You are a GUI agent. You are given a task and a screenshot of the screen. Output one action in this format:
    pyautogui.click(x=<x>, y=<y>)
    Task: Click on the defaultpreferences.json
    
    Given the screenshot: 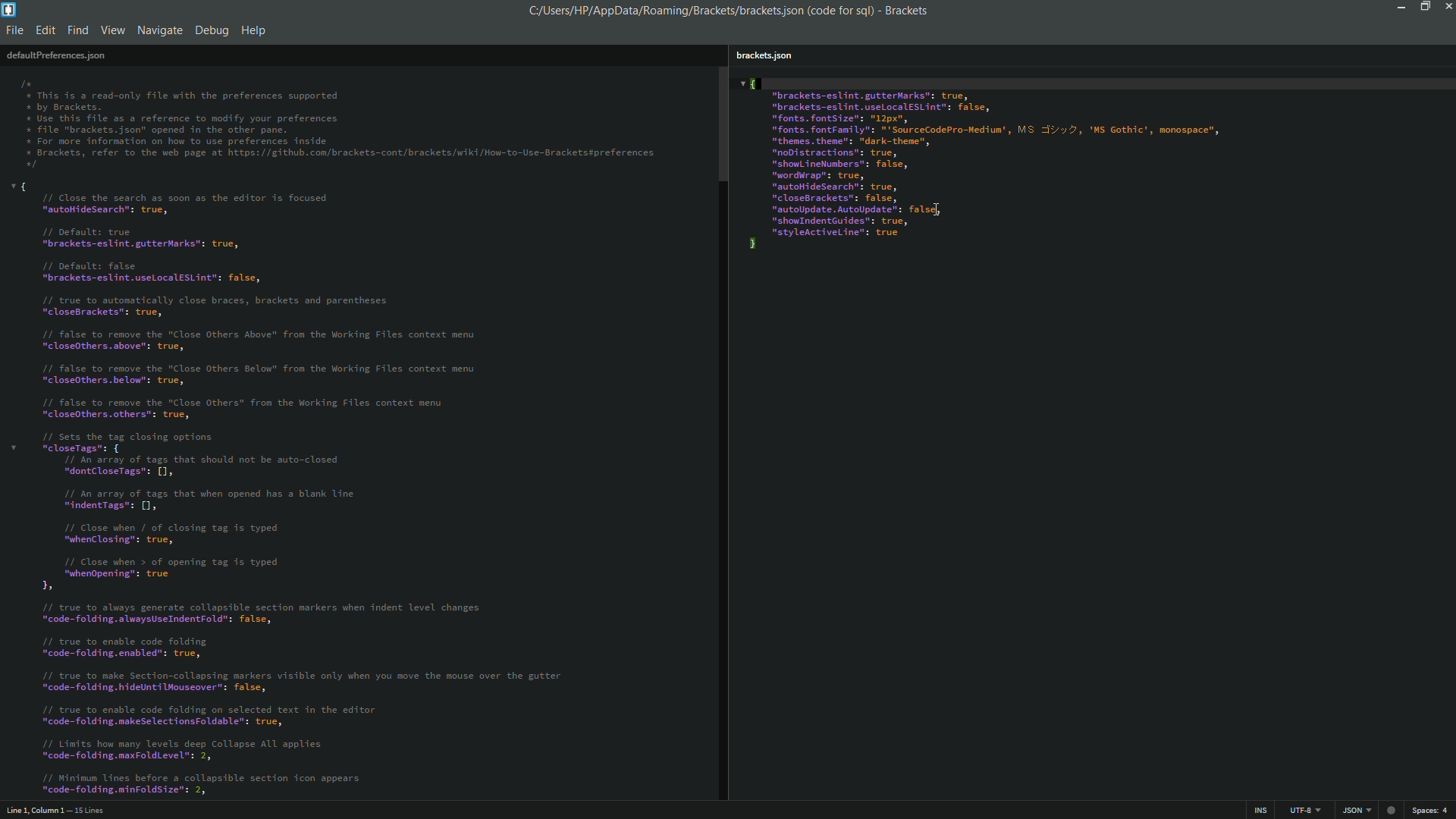 What is the action you would take?
    pyautogui.click(x=55, y=55)
    